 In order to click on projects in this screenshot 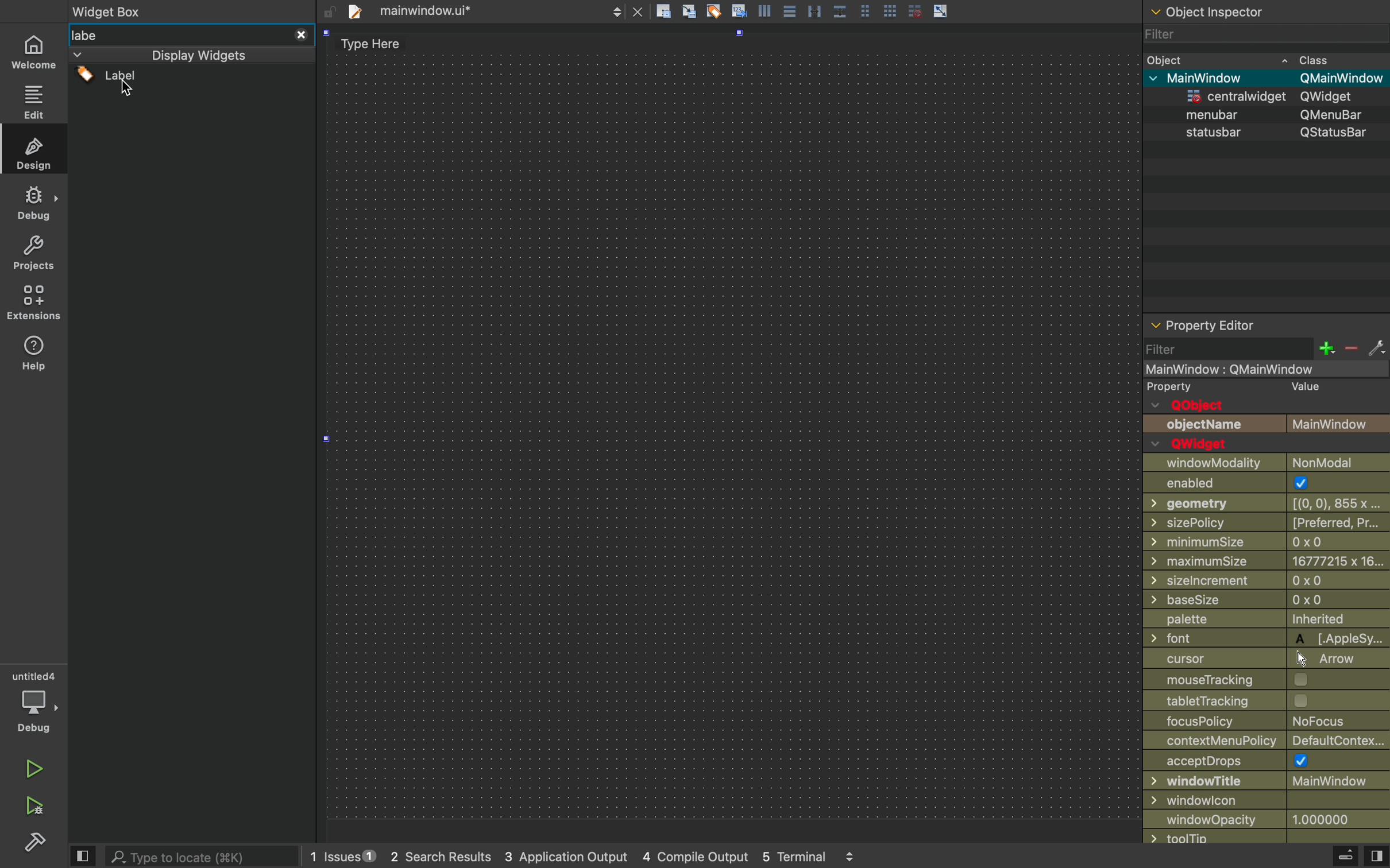, I will do `click(32, 254)`.